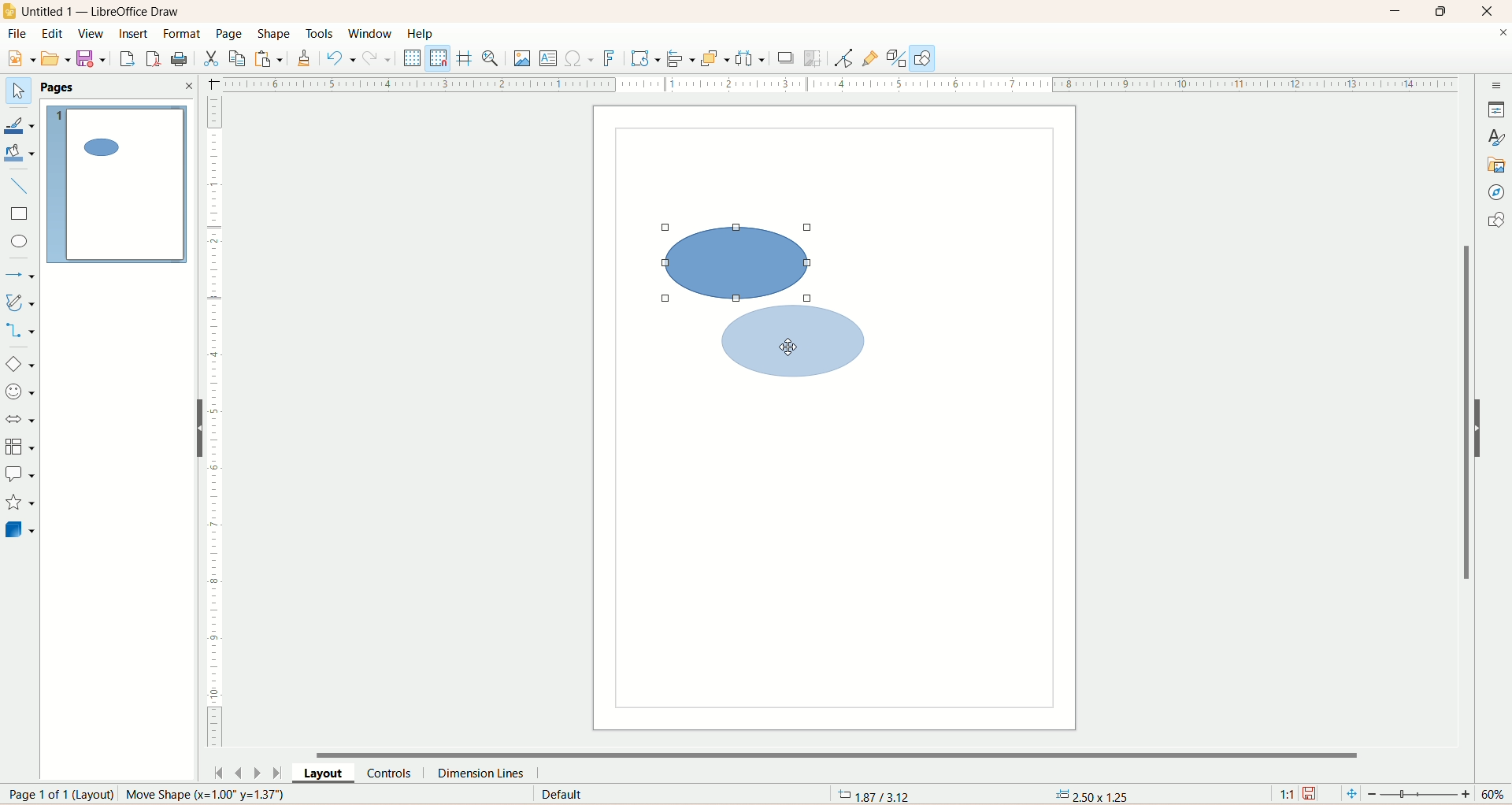 The image size is (1512, 805). Describe the element at coordinates (1289, 792) in the screenshot. I see `scaling factor` at that location.